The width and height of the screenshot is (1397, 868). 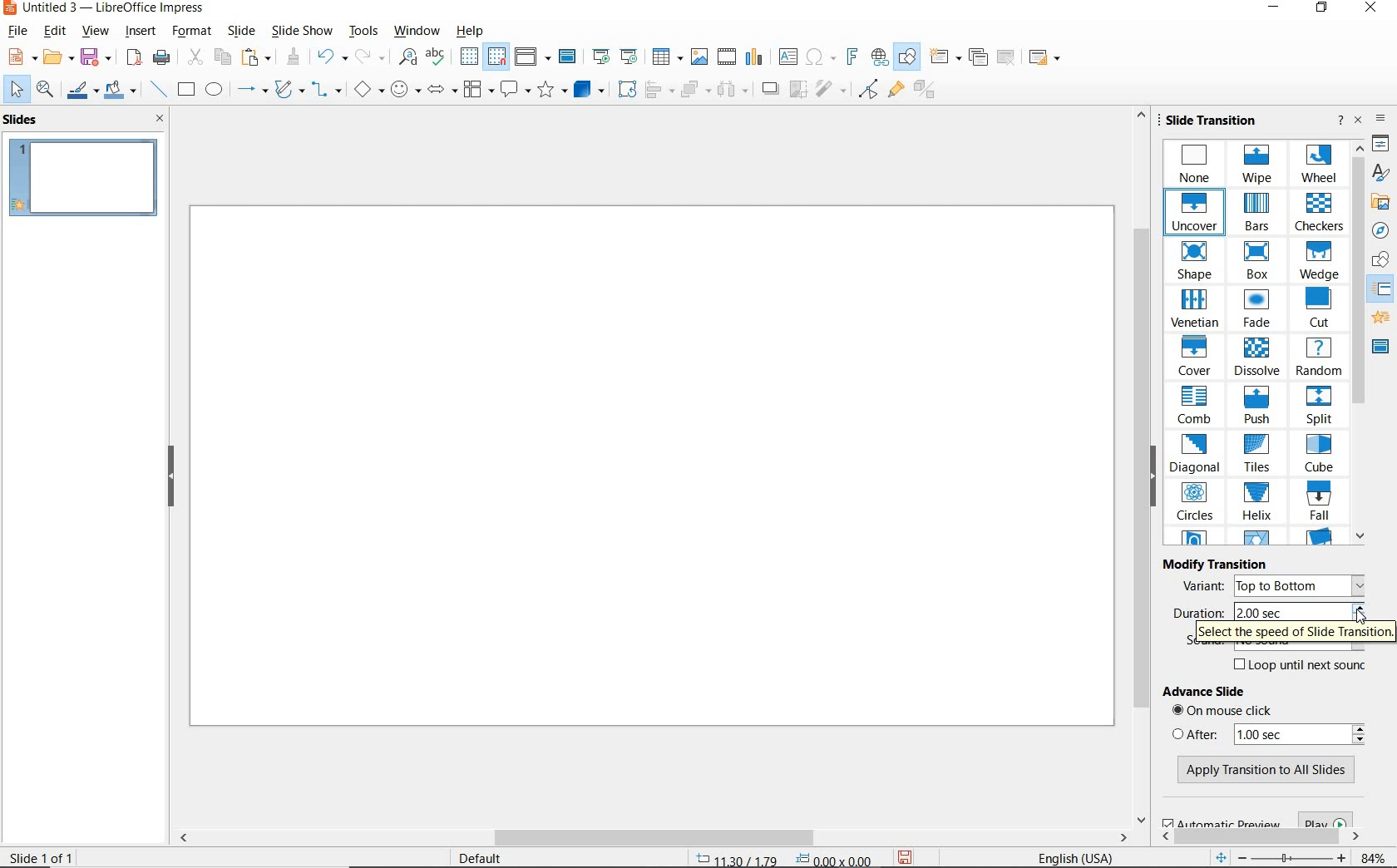 What do you see at coordinates (928, 91) in the screenshot?
I see `TOGGLE EXTRUSION` at bounding box center [928, 91].